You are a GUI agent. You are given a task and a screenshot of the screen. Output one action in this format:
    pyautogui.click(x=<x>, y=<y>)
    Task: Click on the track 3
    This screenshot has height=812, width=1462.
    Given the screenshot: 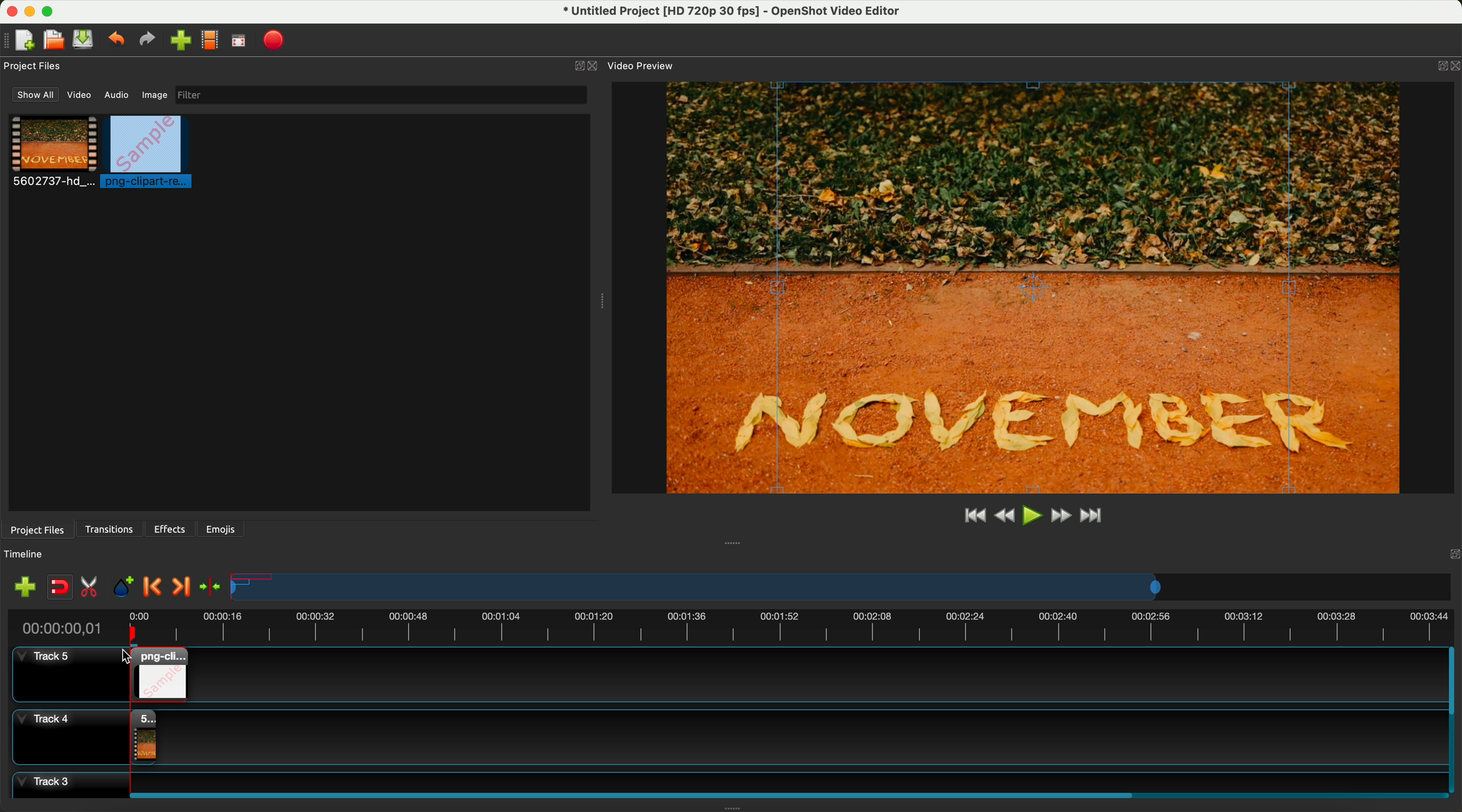 What is the action you would take?
    pyautogui.click(x=724, y=780)
    